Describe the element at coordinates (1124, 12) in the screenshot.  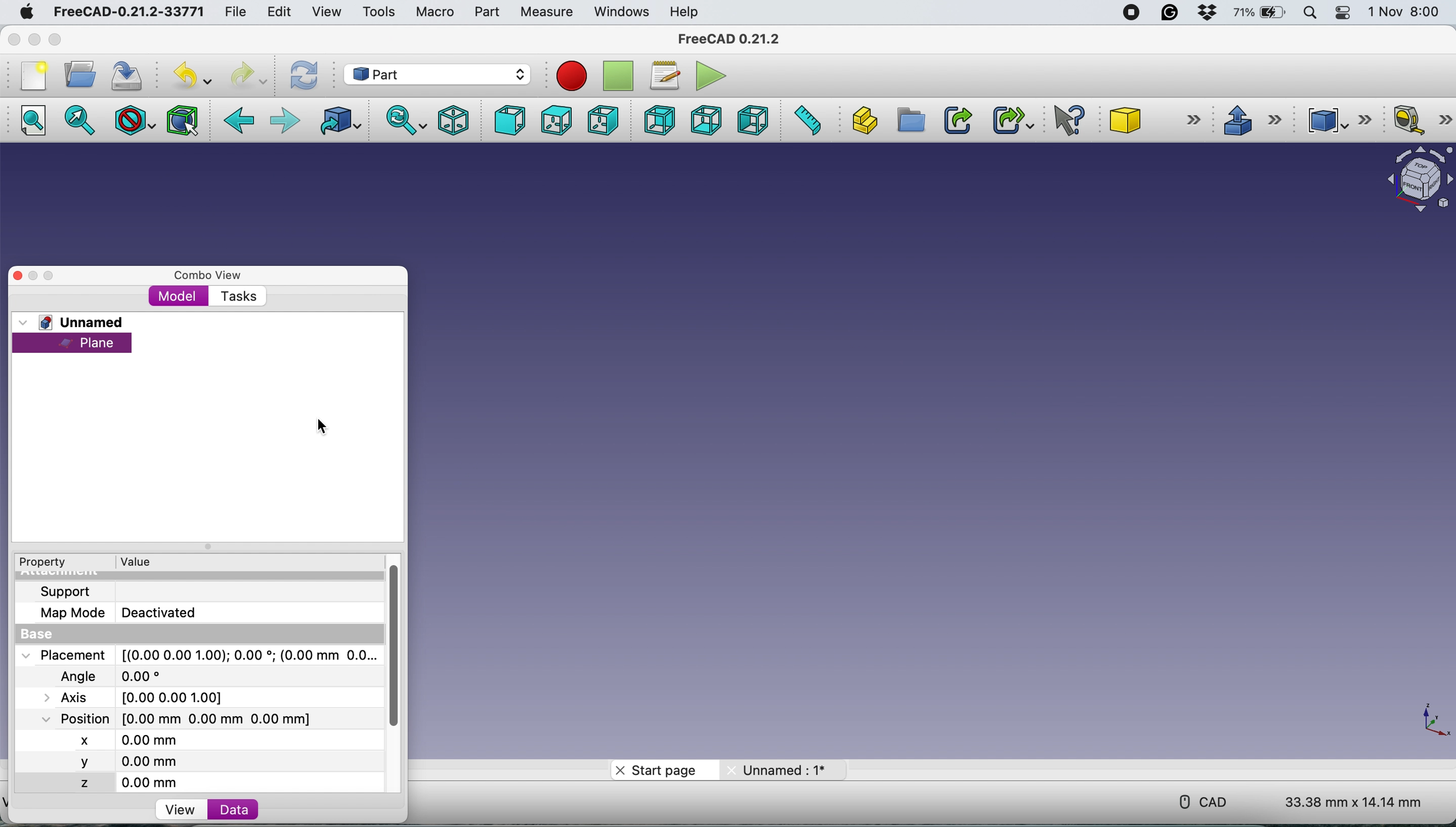
I see `screen recorder` at that location.